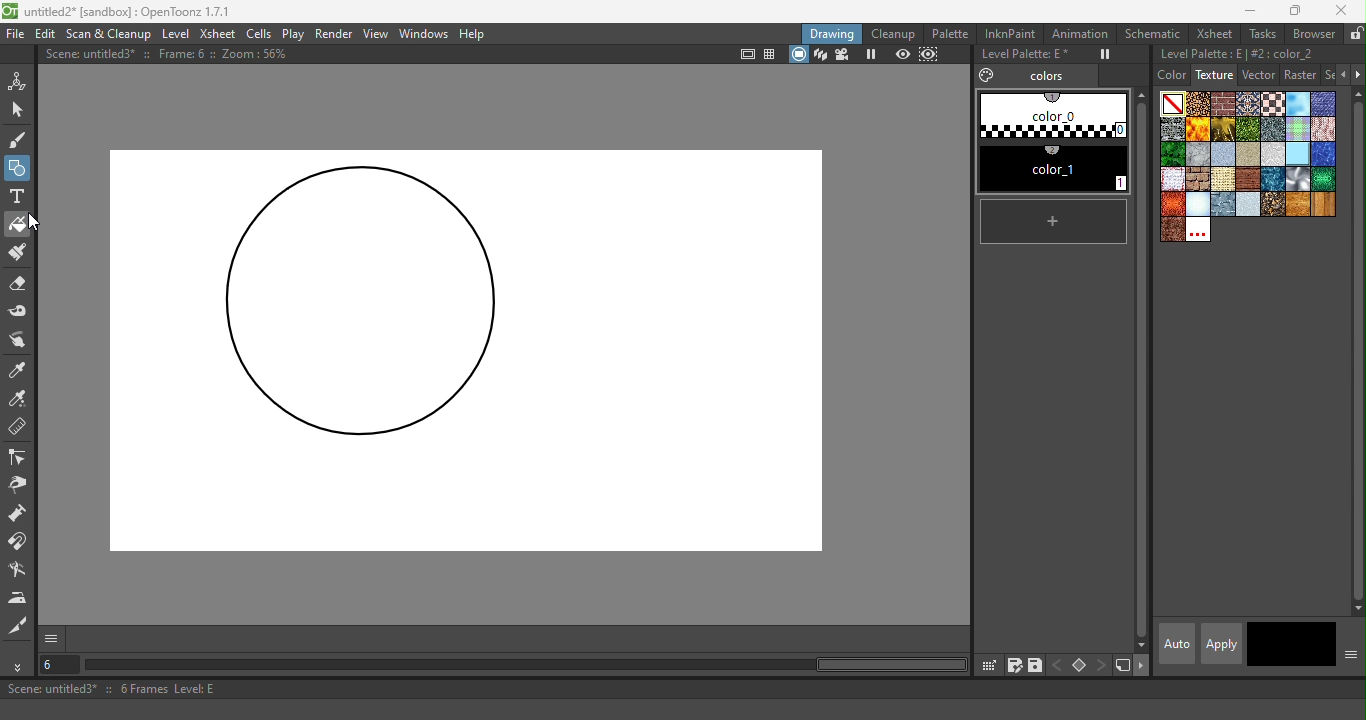 Image resolution: width=1366 pixels, height=720 pixels. What do you see at coordinates (1349, 658) in the screenshot?
I see `Show or hide parts of the color page` at bounding box center [1349, 658].